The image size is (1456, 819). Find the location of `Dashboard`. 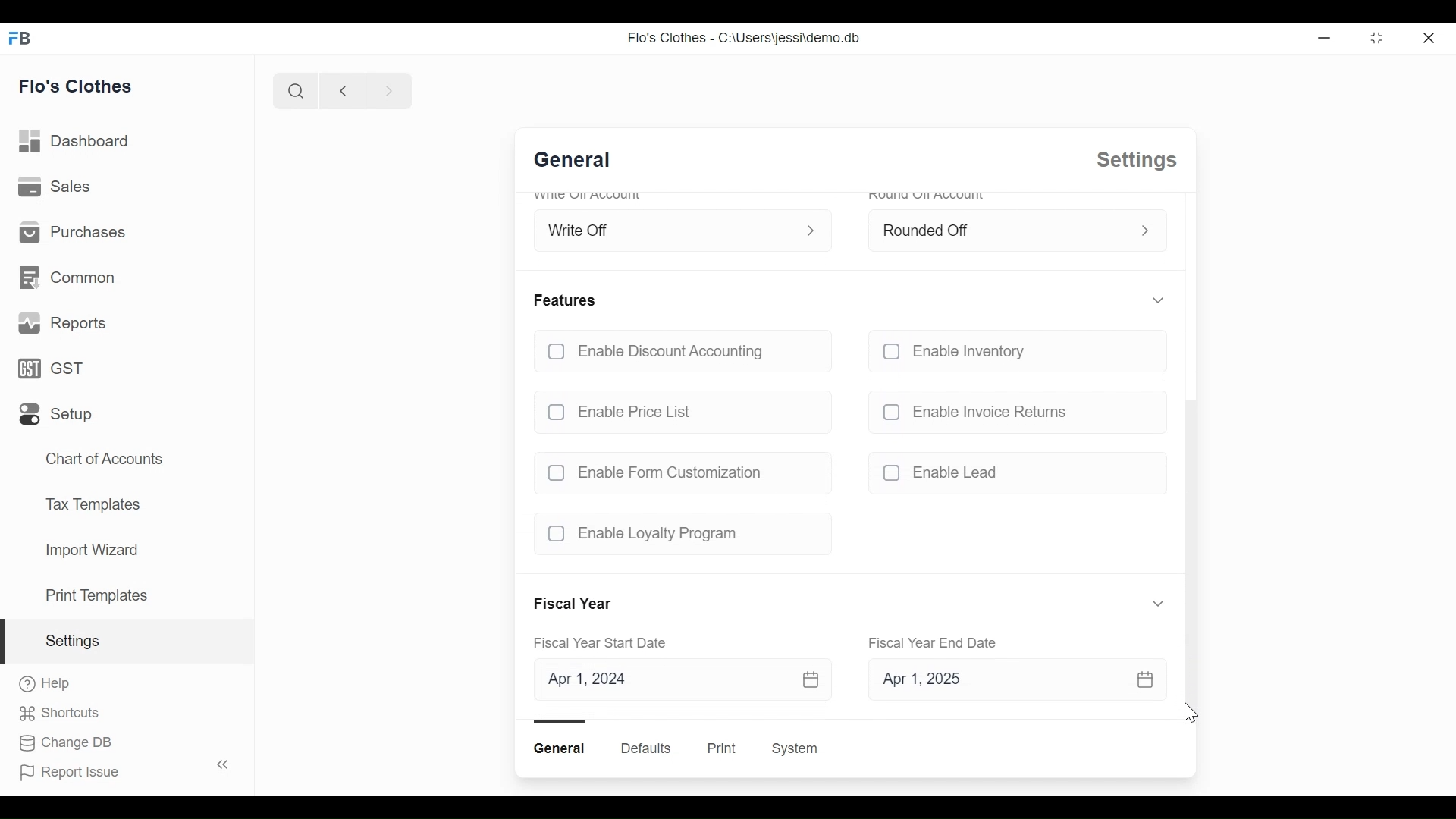

Dashboard is located at coordinates (74, 142).